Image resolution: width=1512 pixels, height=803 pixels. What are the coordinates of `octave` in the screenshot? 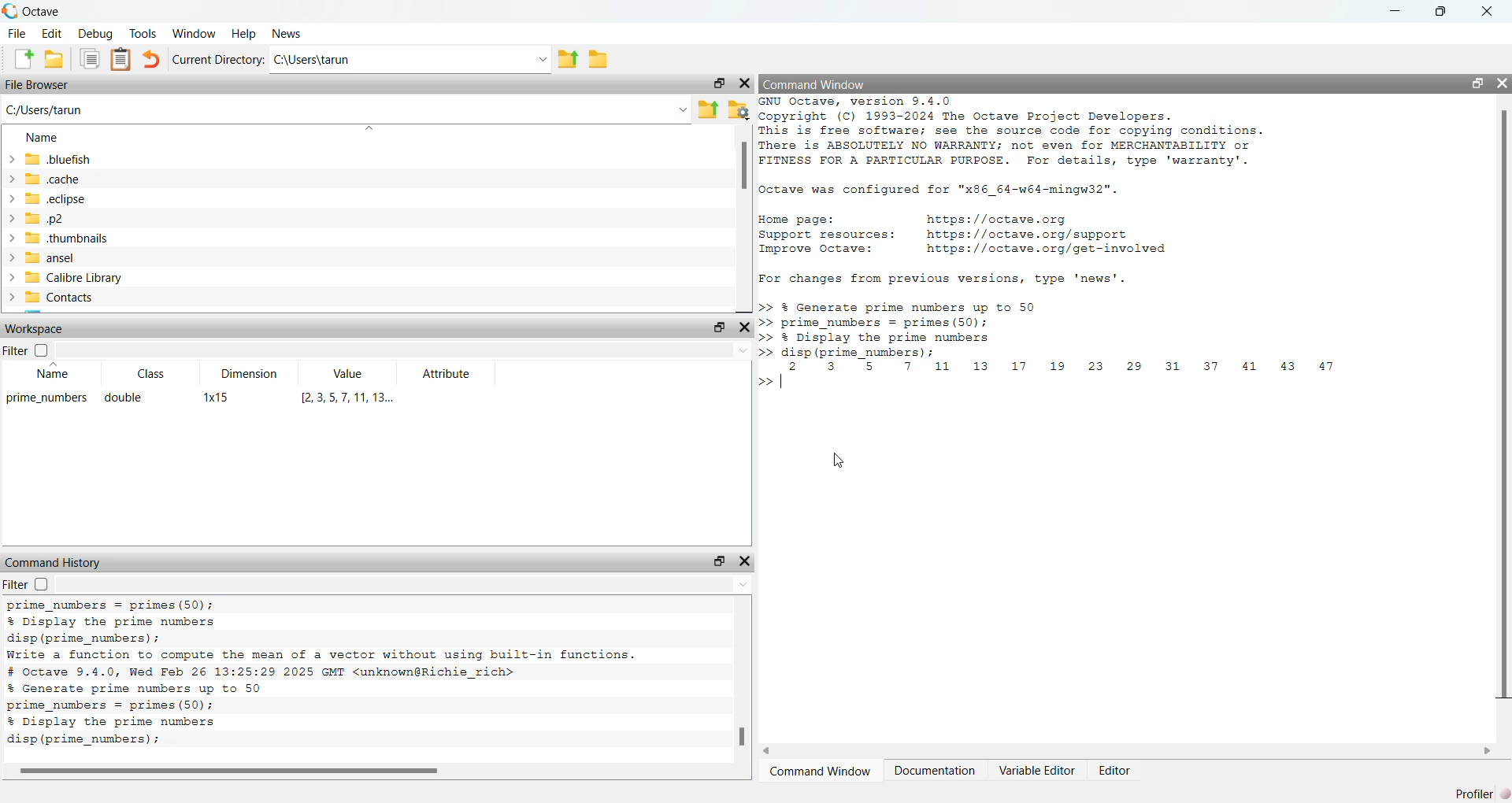 It's located at (44, 12).